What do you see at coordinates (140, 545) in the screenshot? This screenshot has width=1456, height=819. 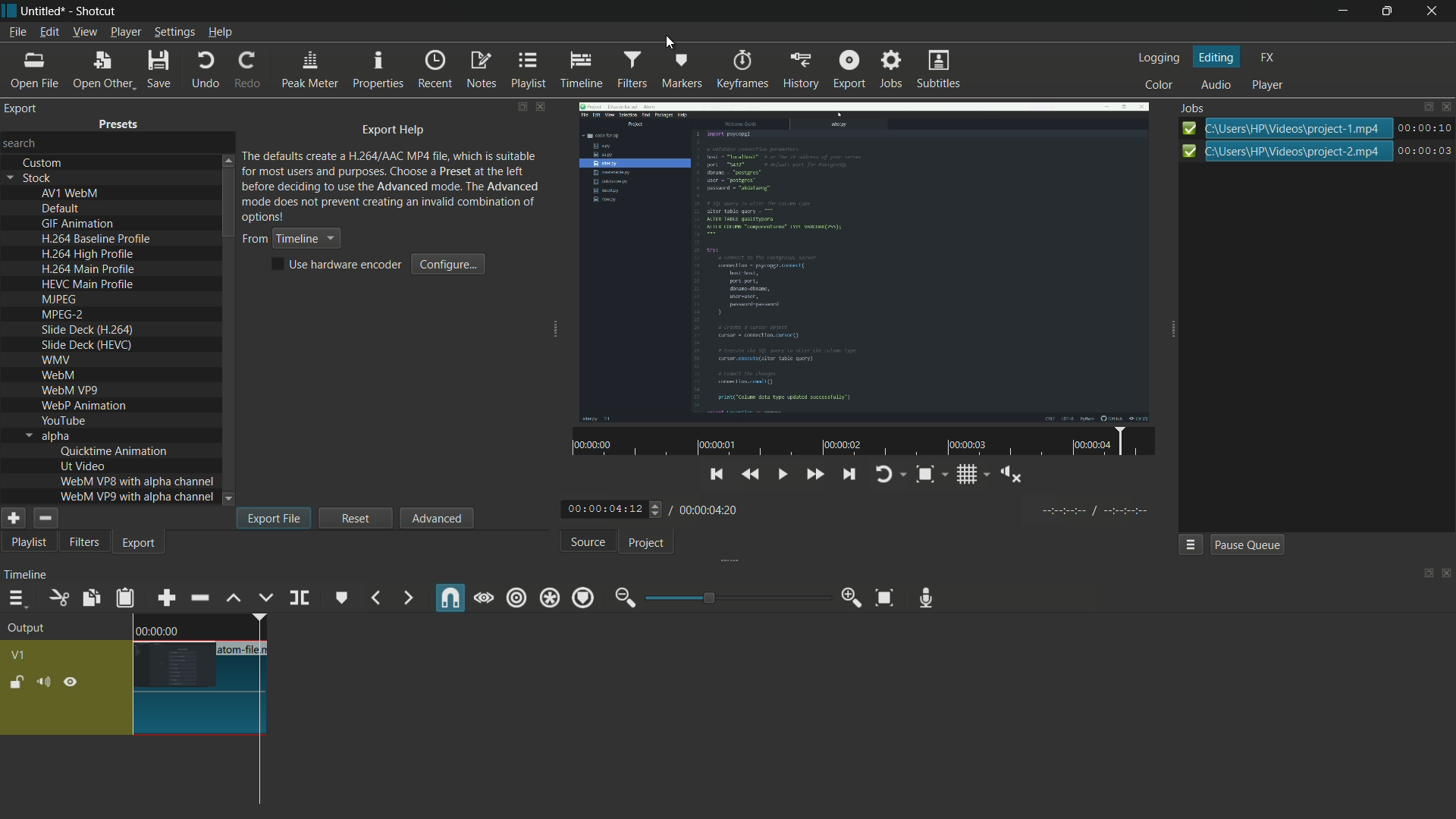 I see `export` at bounding box center [140, 545].